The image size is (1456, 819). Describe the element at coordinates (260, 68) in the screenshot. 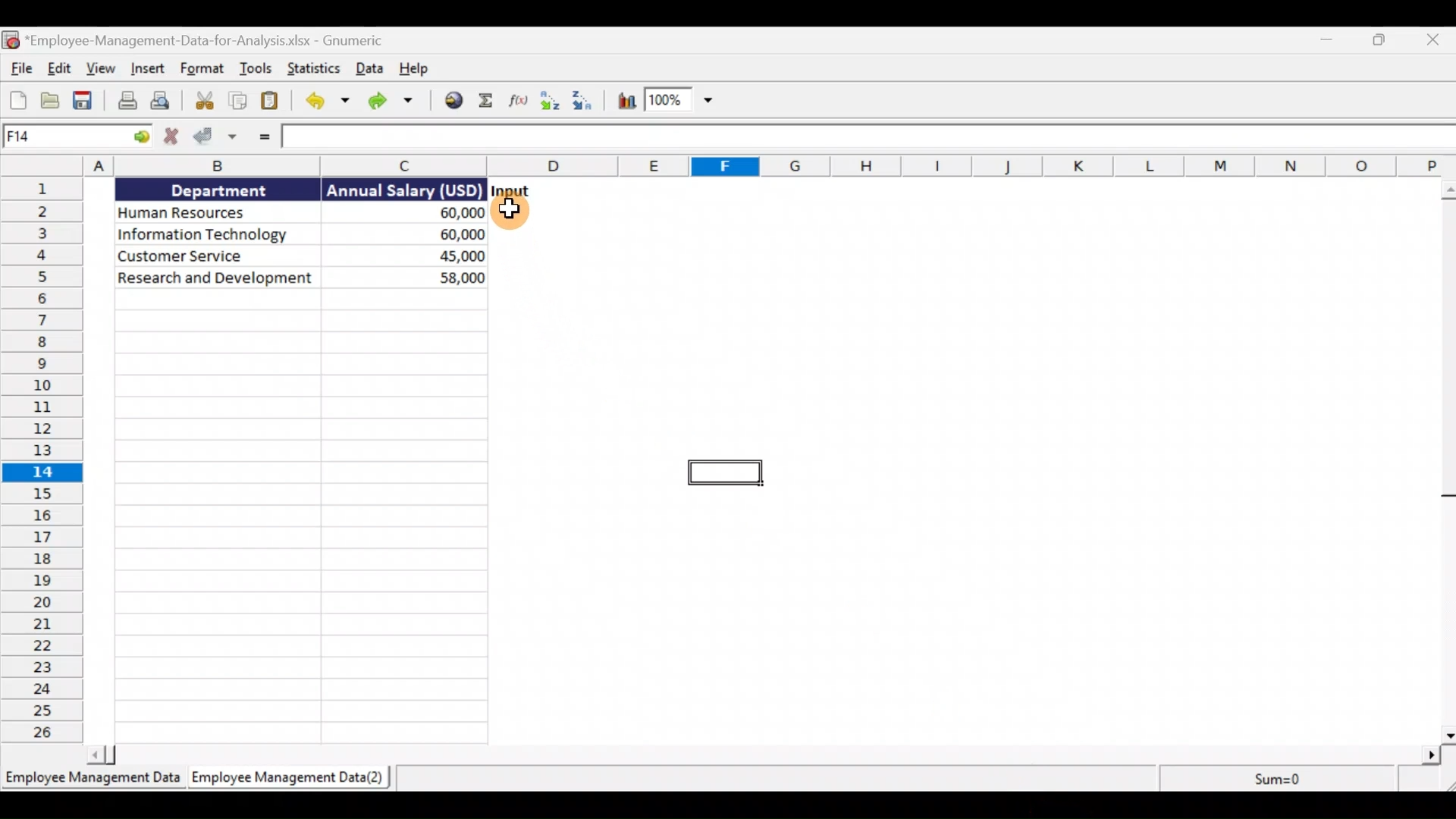

I see `Tools` at that location.